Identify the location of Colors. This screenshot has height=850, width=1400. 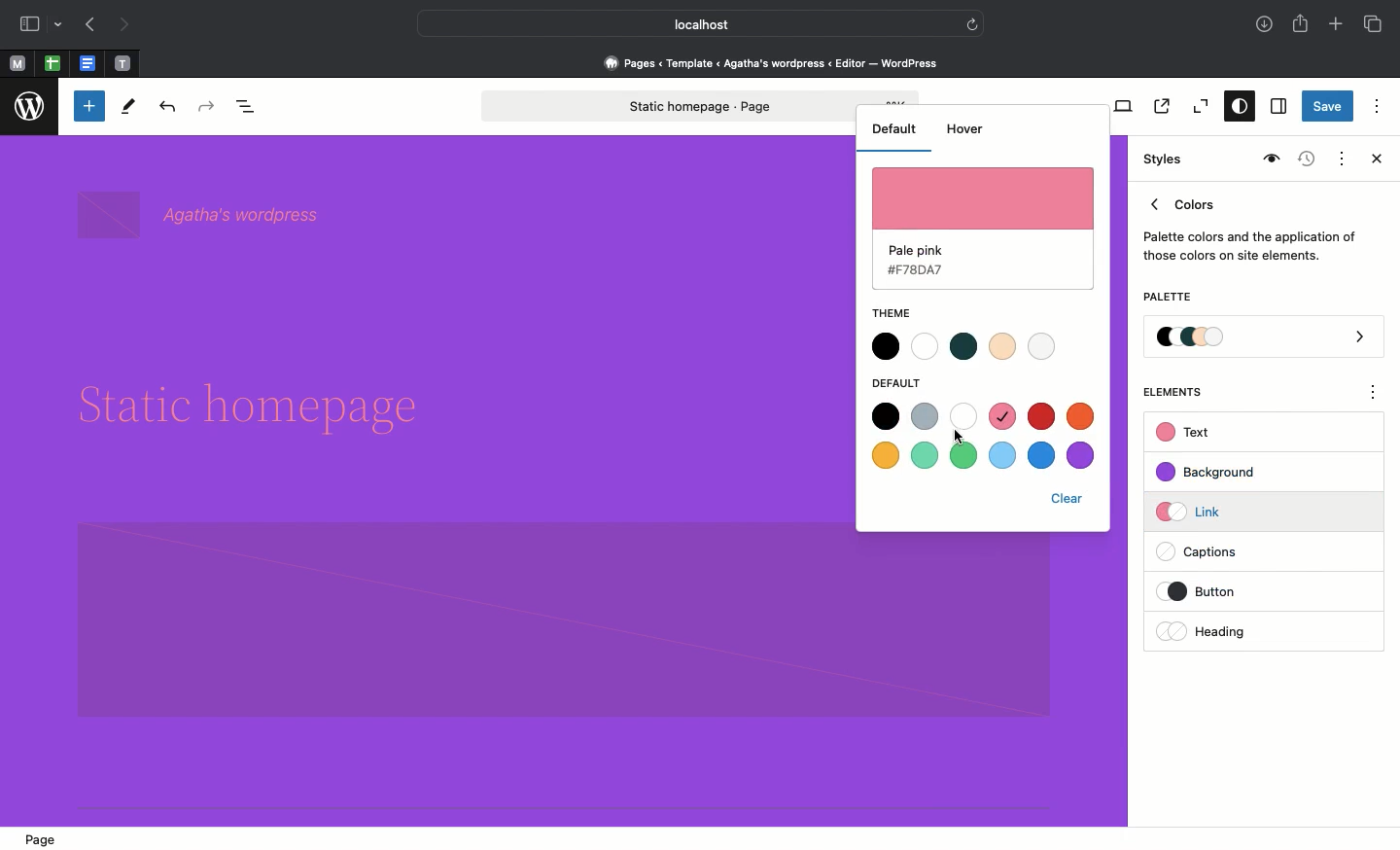
(1250, 226).